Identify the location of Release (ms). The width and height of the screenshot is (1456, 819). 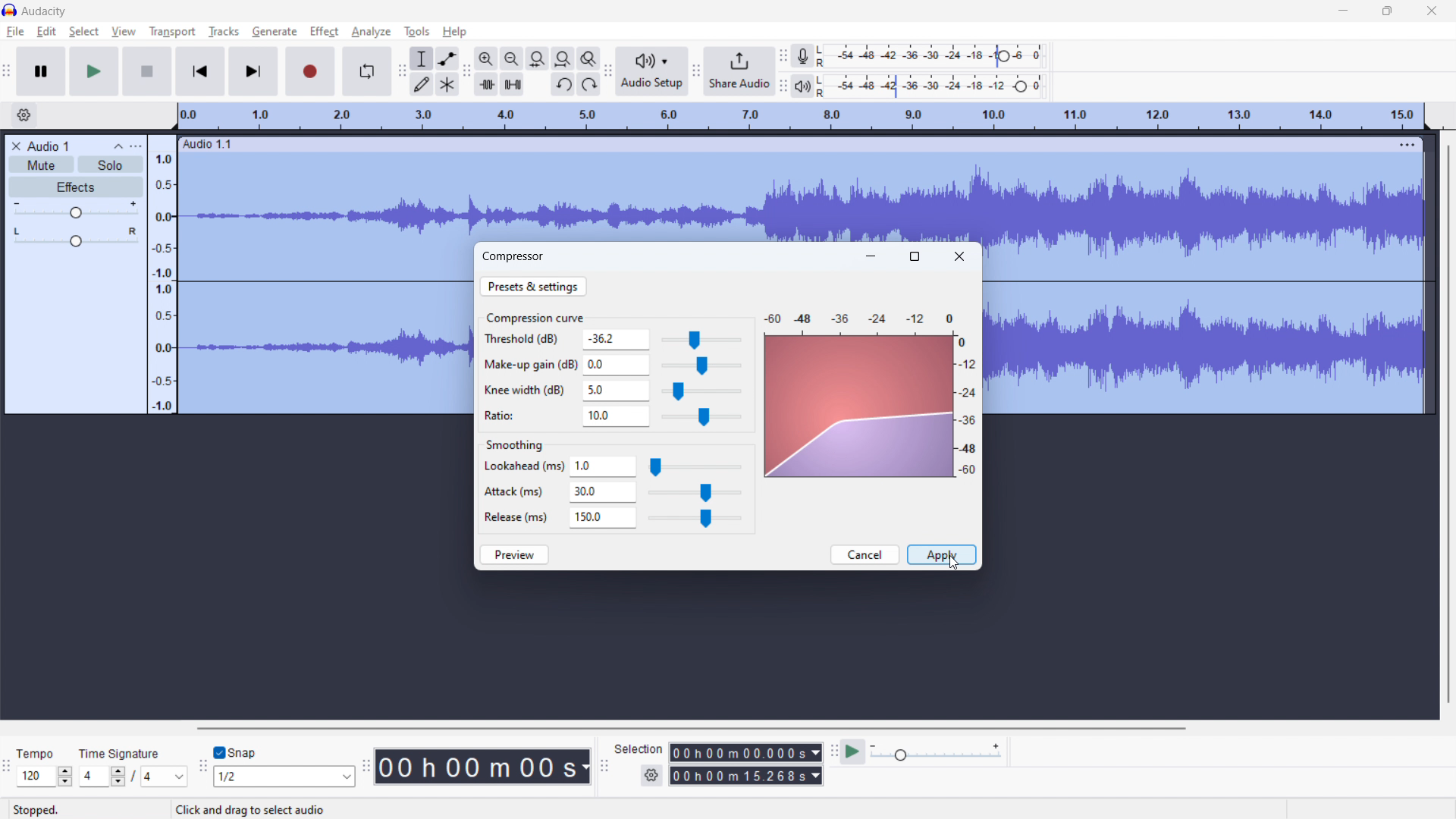
(516, 516).